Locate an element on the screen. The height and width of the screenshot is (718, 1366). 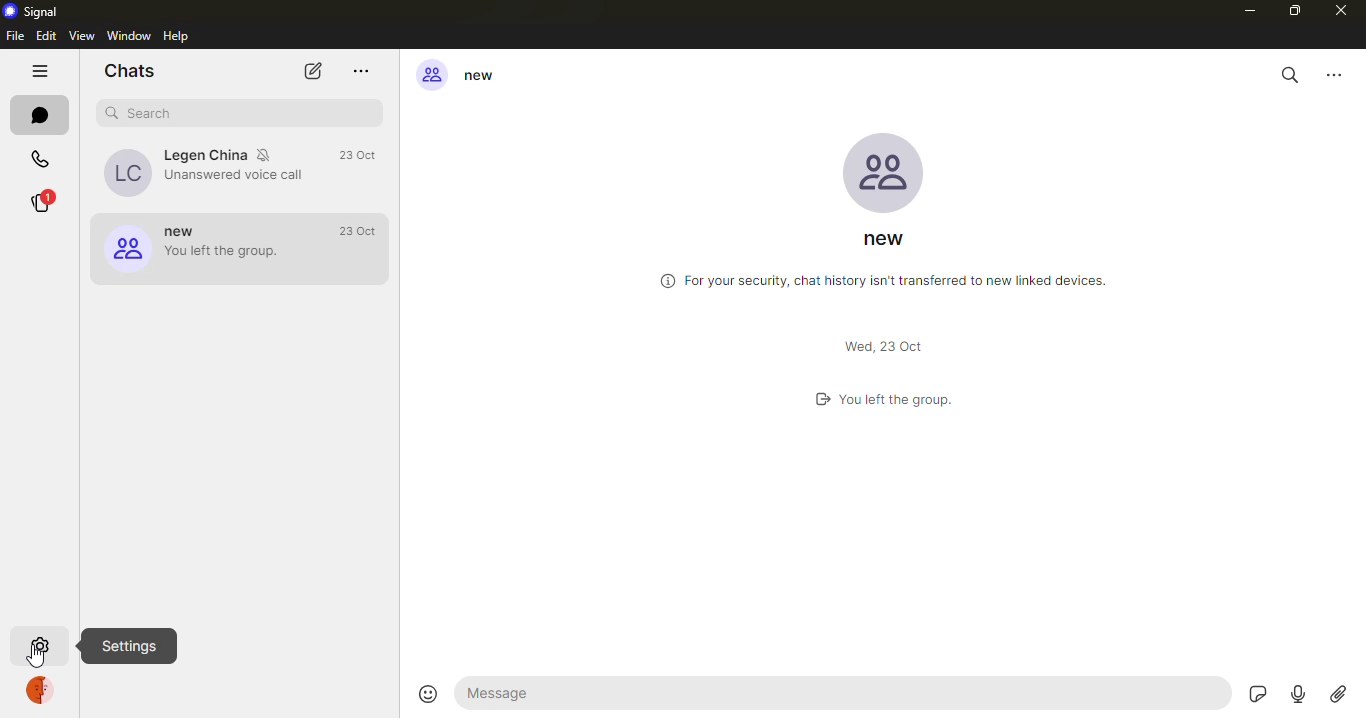
profile pic is located at coordinates (888, 170).